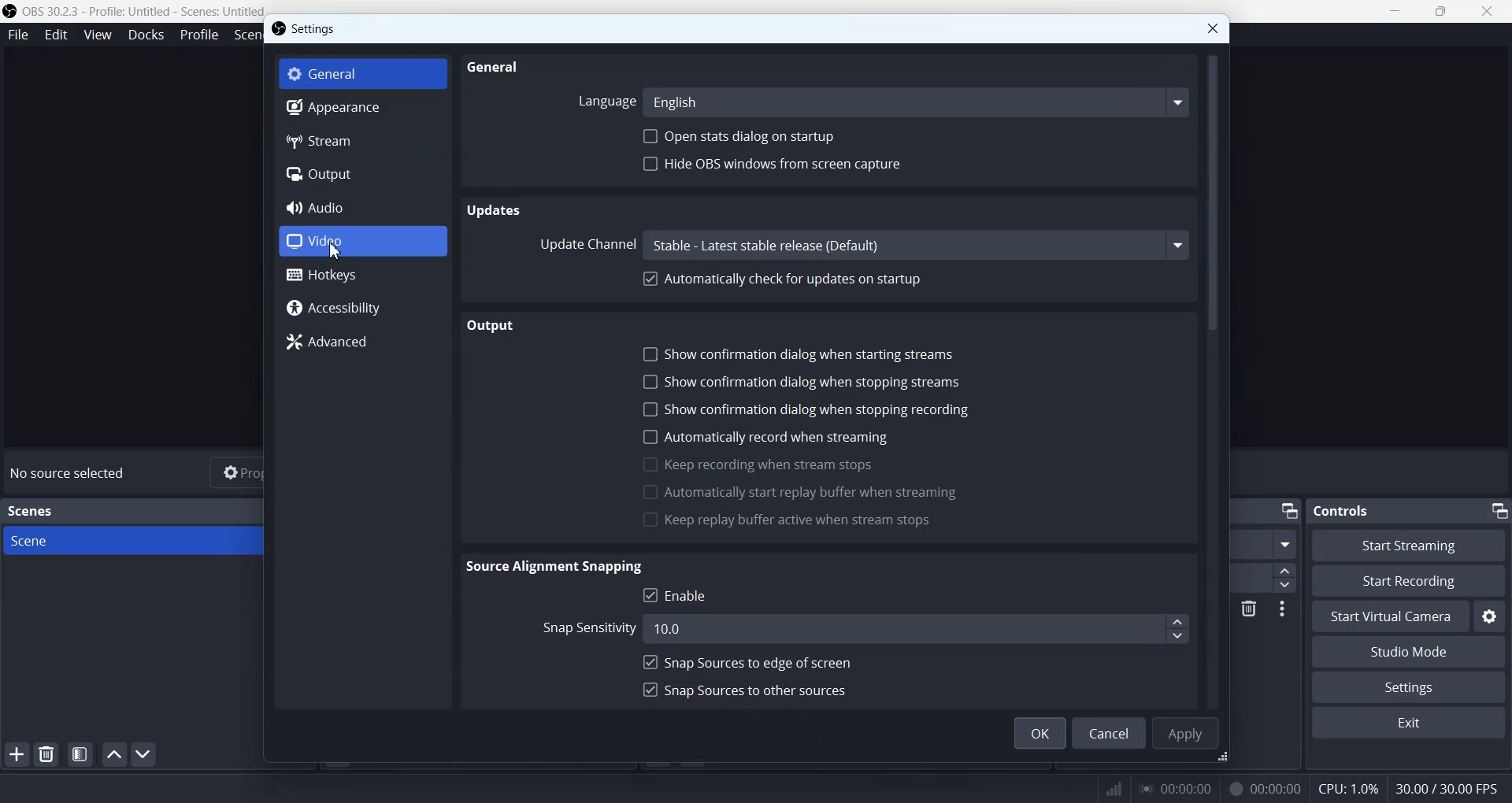 This screenshot has height=803, width=1512. What do you see at coordinates (679, 594) in the screenshot?
I see `Enable` at bounding box center [679, 594].